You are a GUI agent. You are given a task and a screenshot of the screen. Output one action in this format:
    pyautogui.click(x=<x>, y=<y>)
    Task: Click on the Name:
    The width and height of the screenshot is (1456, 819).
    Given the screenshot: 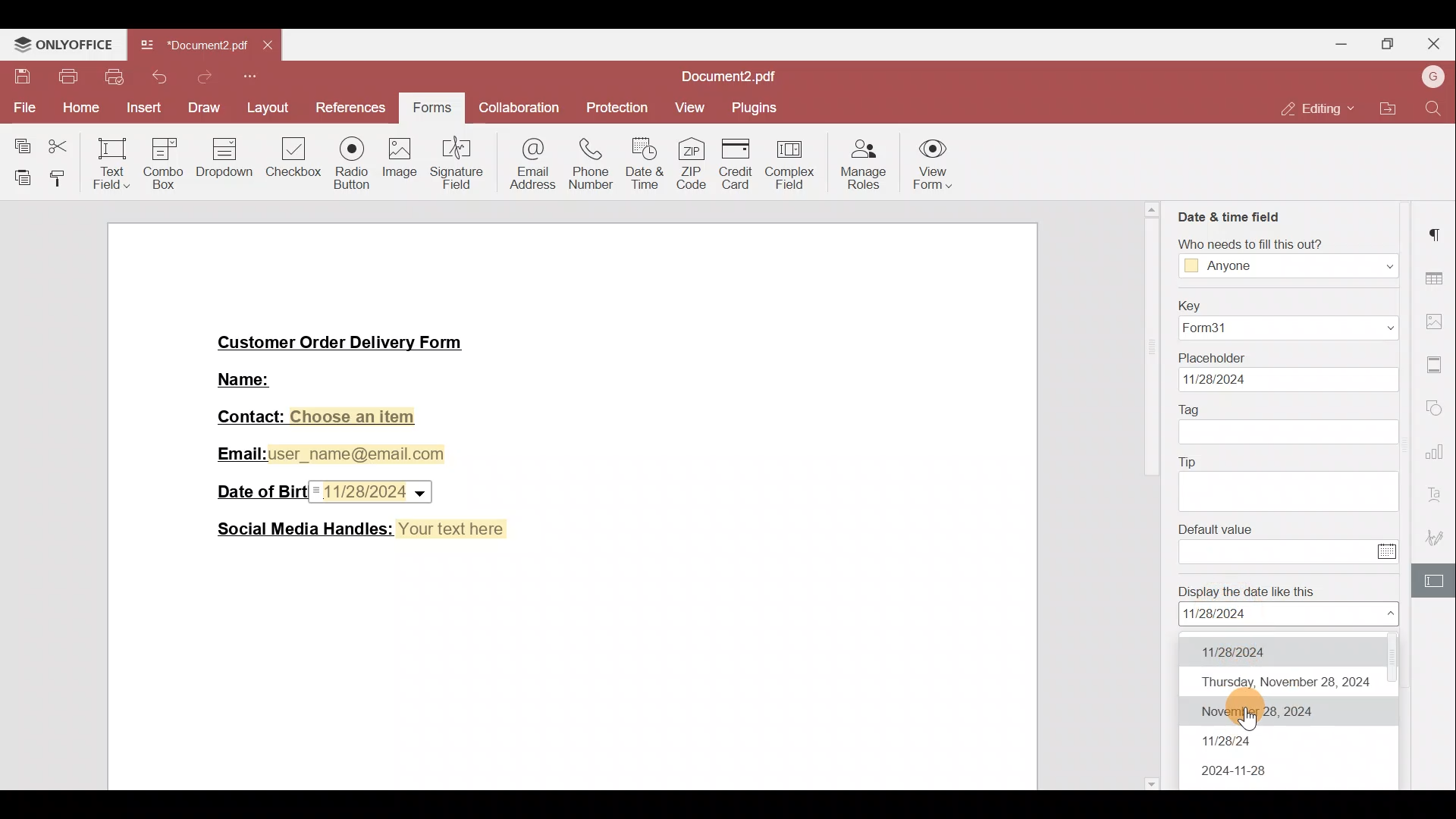 What is the action you would take?
    pyautogui.click(x=247, y=378)
    